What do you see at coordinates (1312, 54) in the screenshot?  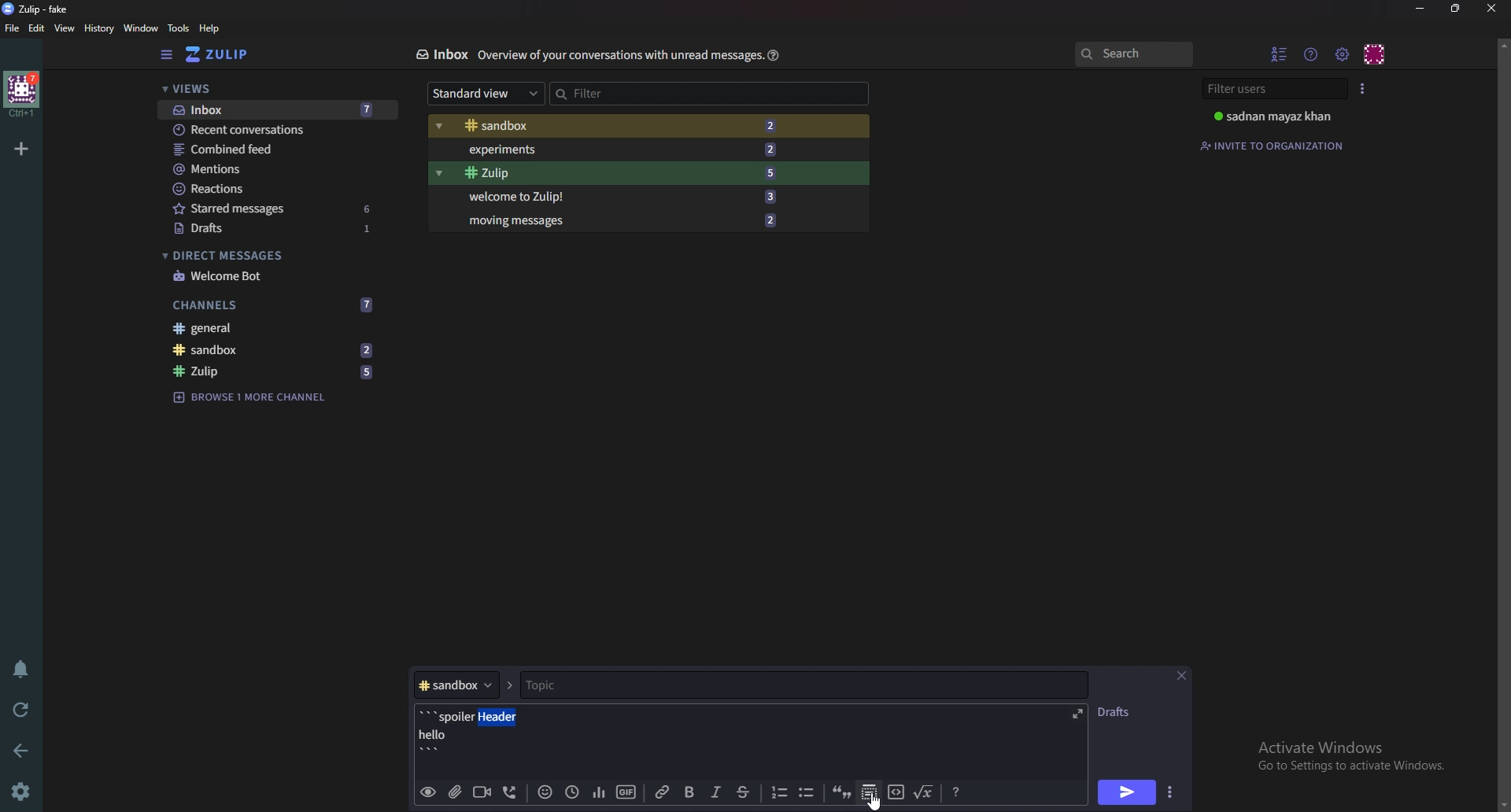 I see `Help menu` at bounding box center [1312, 54].